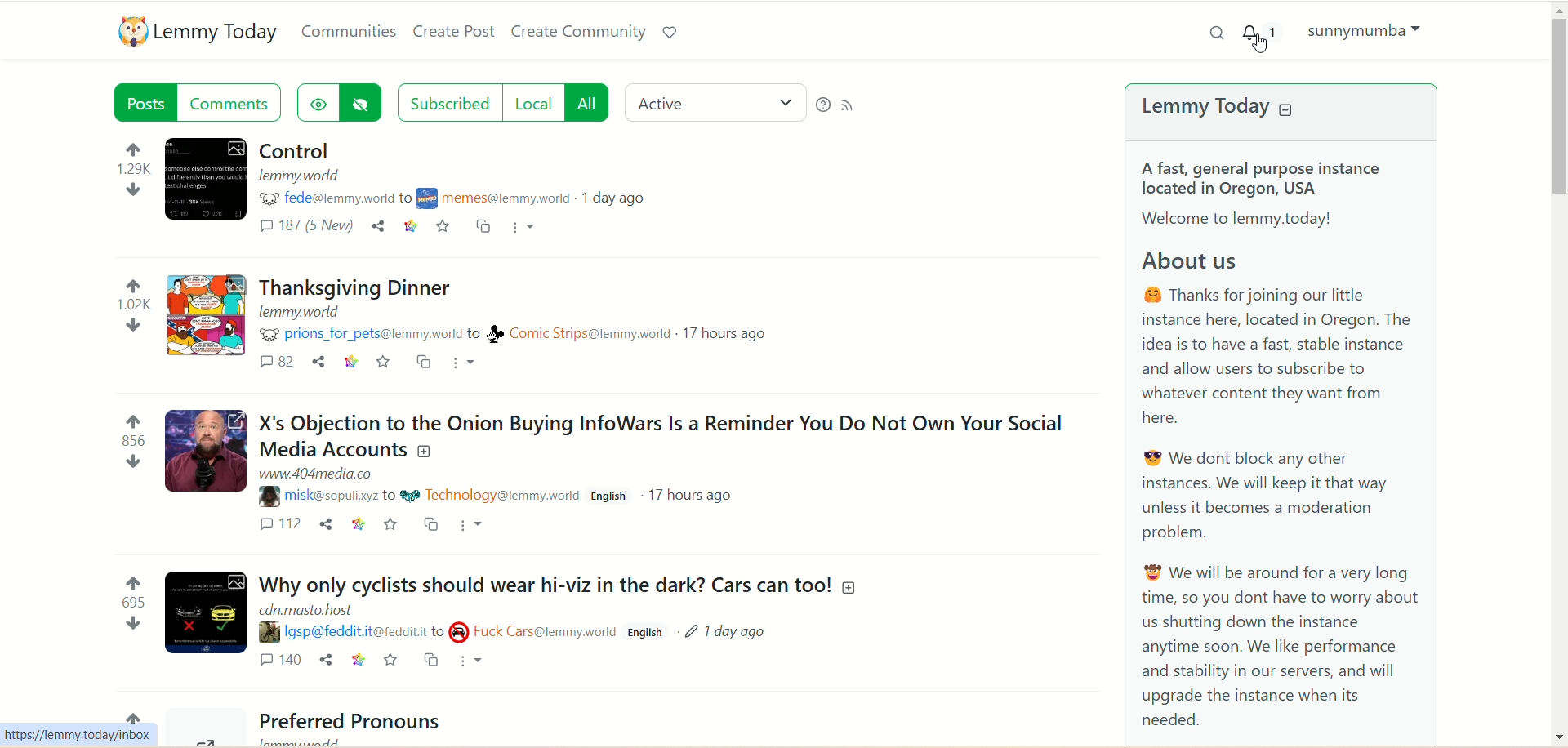 The image size is (1568, 748). What do you see at coordinates (615, 198) in the screenshot?
I see `1 day ago(posted day)` at bounding box center [615, 198].